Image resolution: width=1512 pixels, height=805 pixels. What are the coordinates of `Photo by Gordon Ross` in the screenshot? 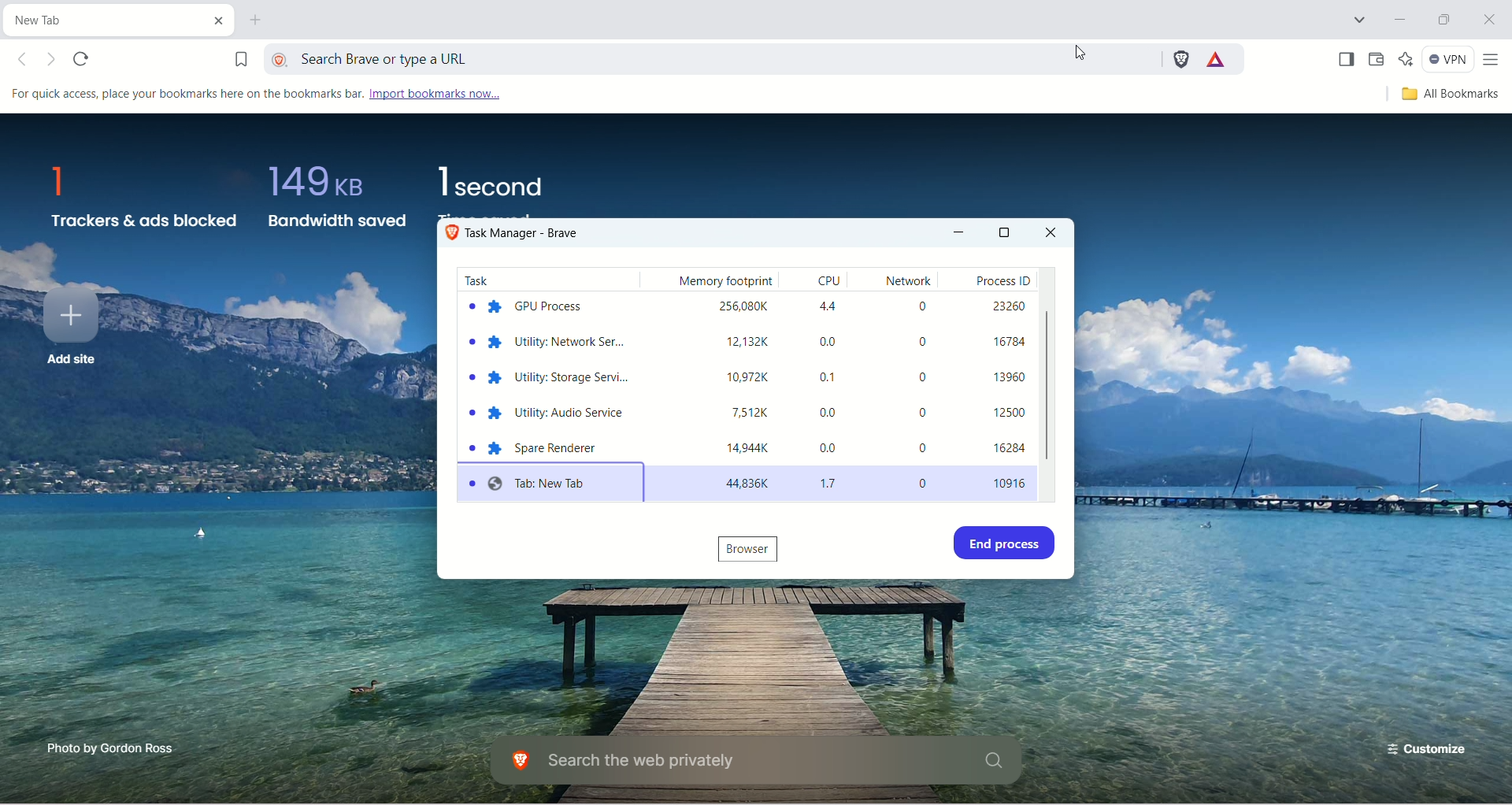 It's located at (114, 748).